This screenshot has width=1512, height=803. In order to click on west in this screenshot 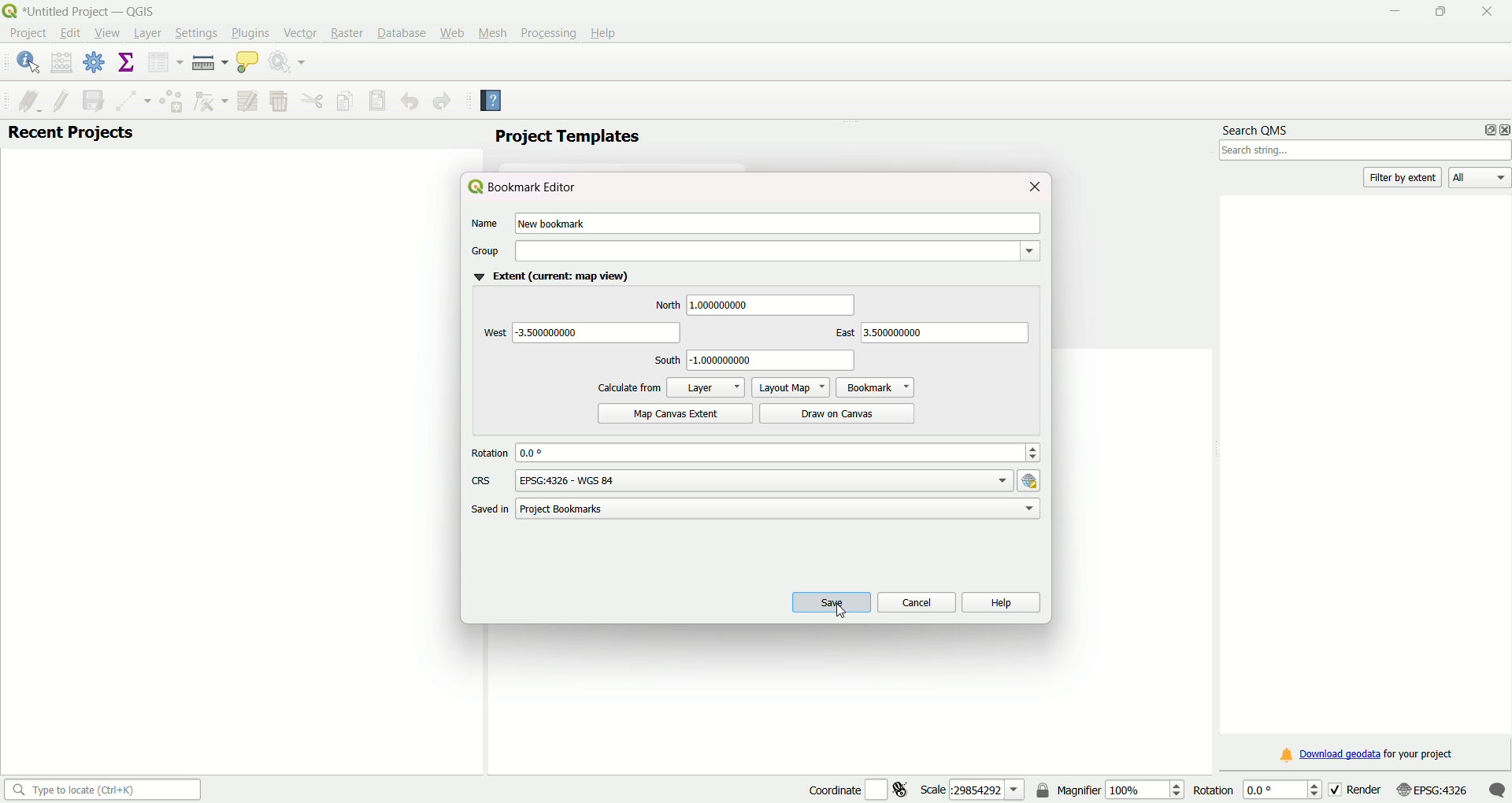, I will do `click(492, 333)`.